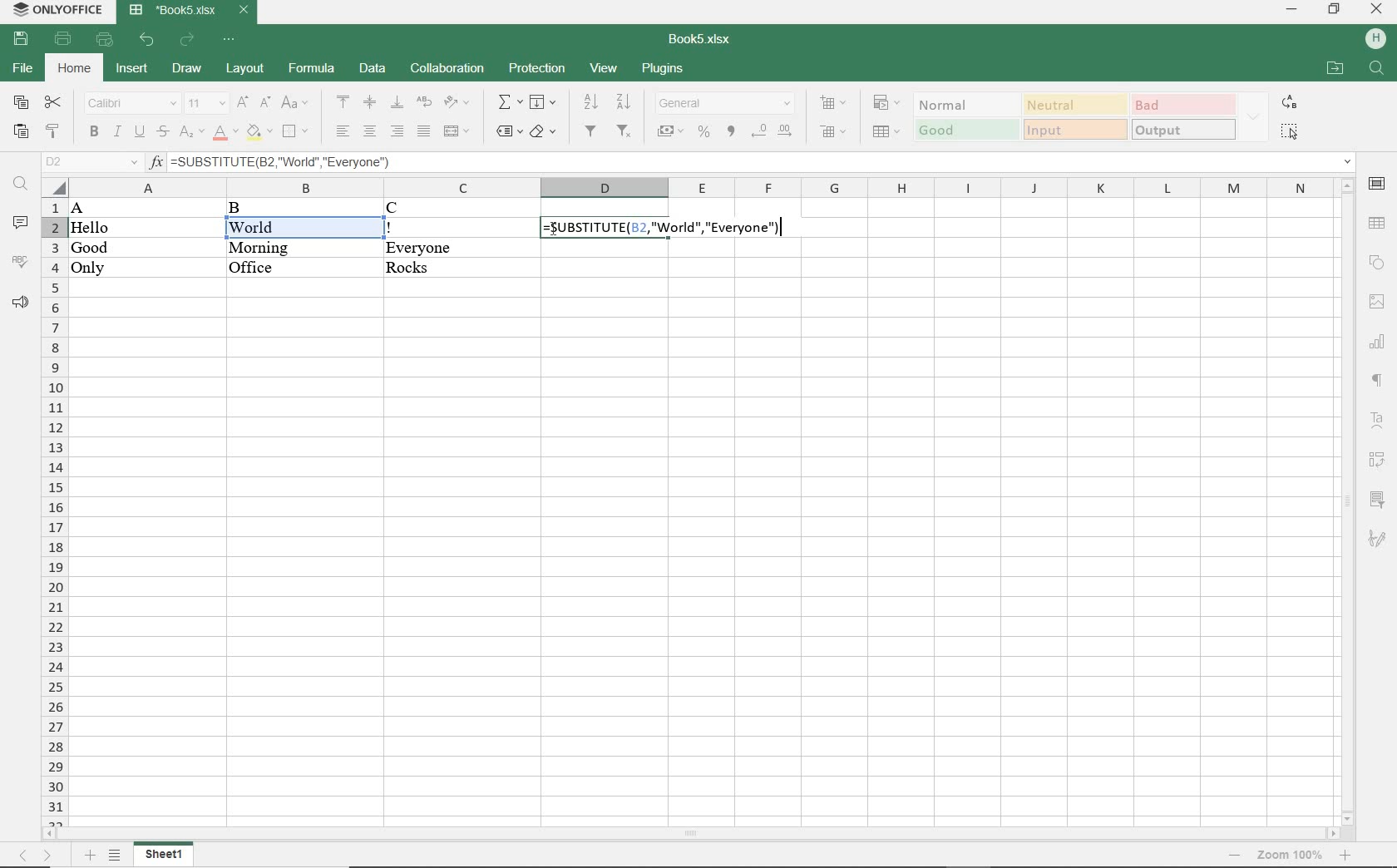 This screenshot has width=1397, height=868. What do you see at coordinates (1182, 105) in the screenshot?
I see `bad` at bounding box center [1182, 105].